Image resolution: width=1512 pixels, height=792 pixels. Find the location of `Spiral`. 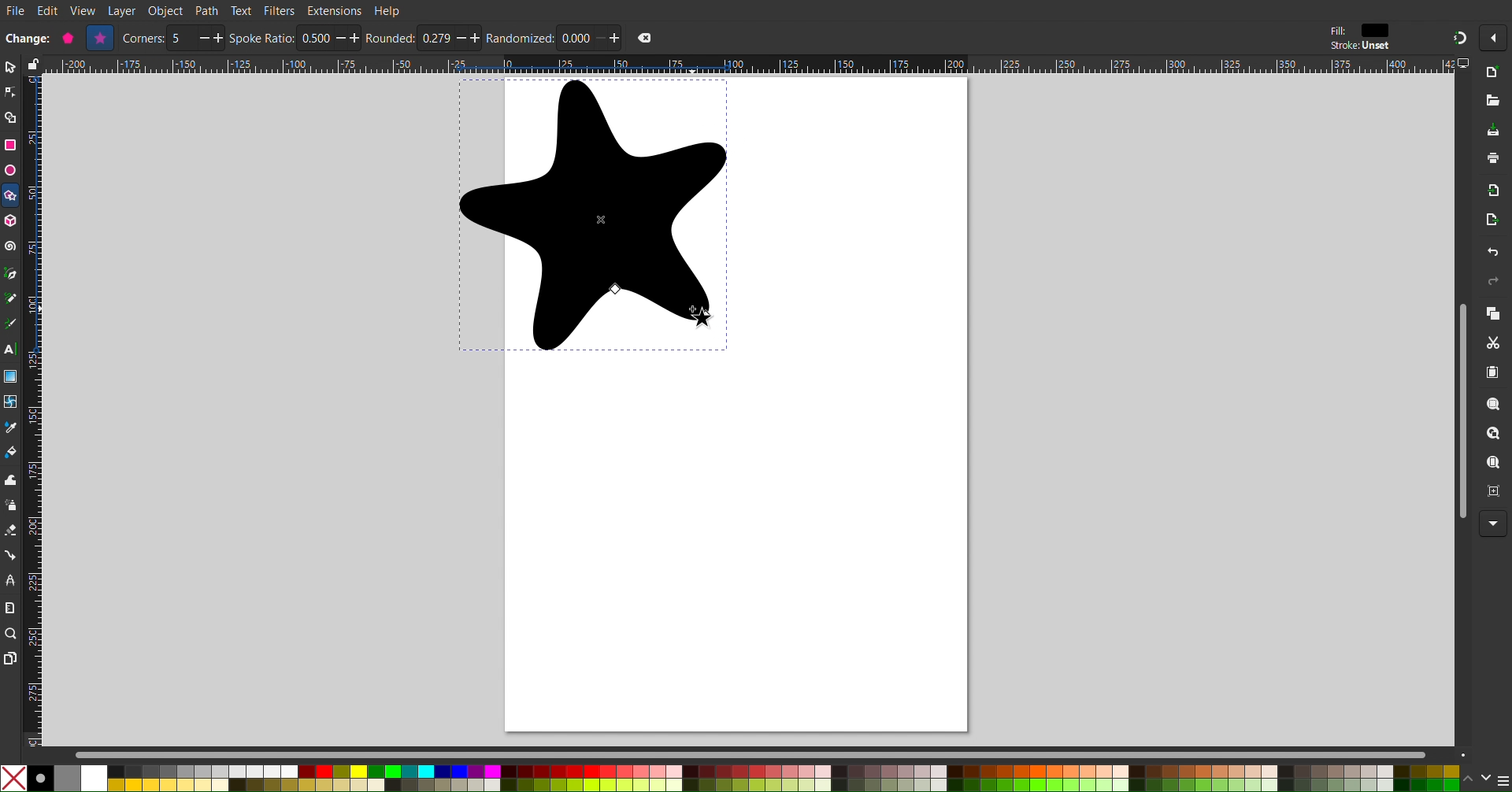

Spiral is located at coordinates (11, 246).